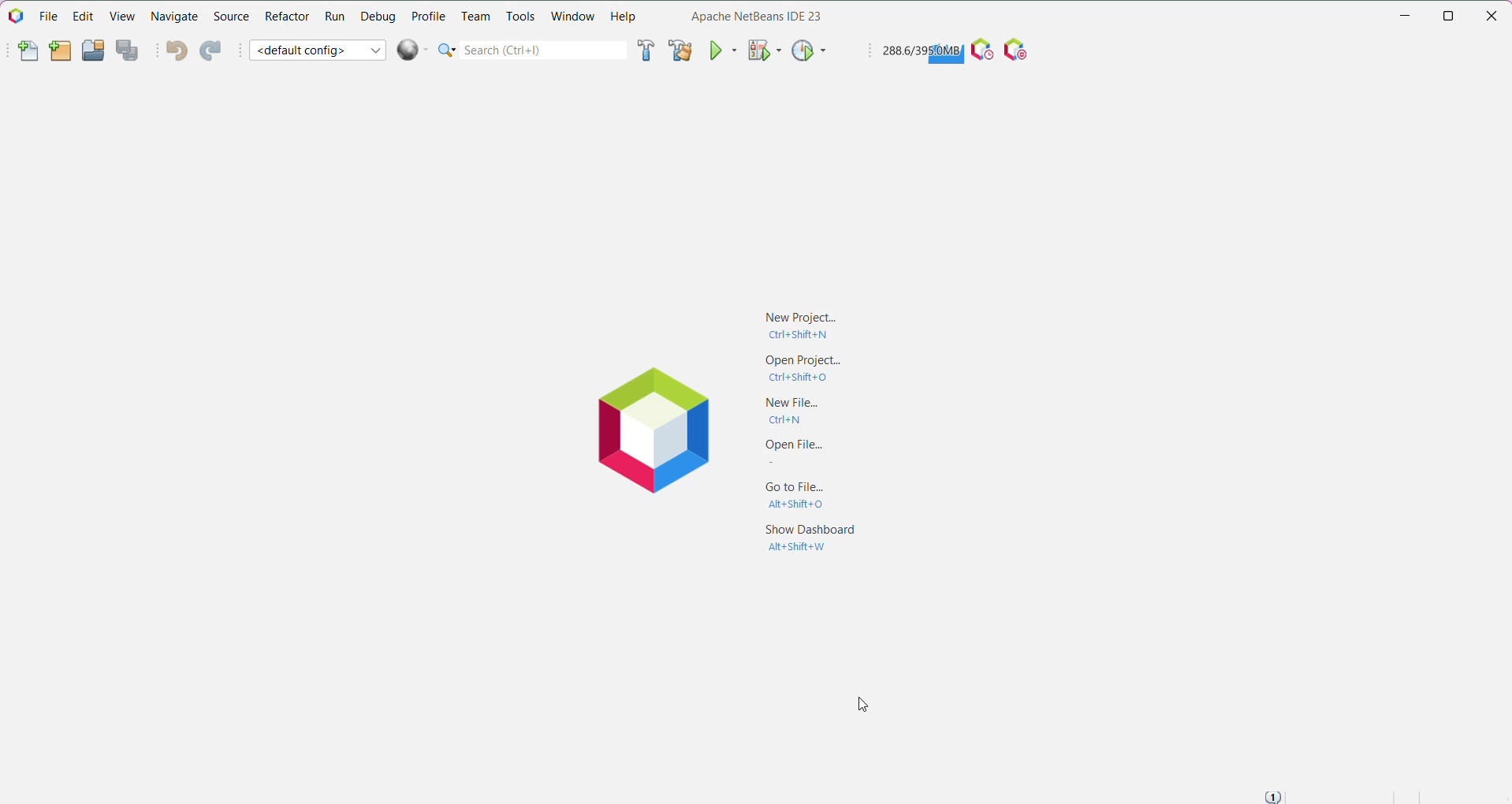  I want to click on Profile Project, so click(809, 52).